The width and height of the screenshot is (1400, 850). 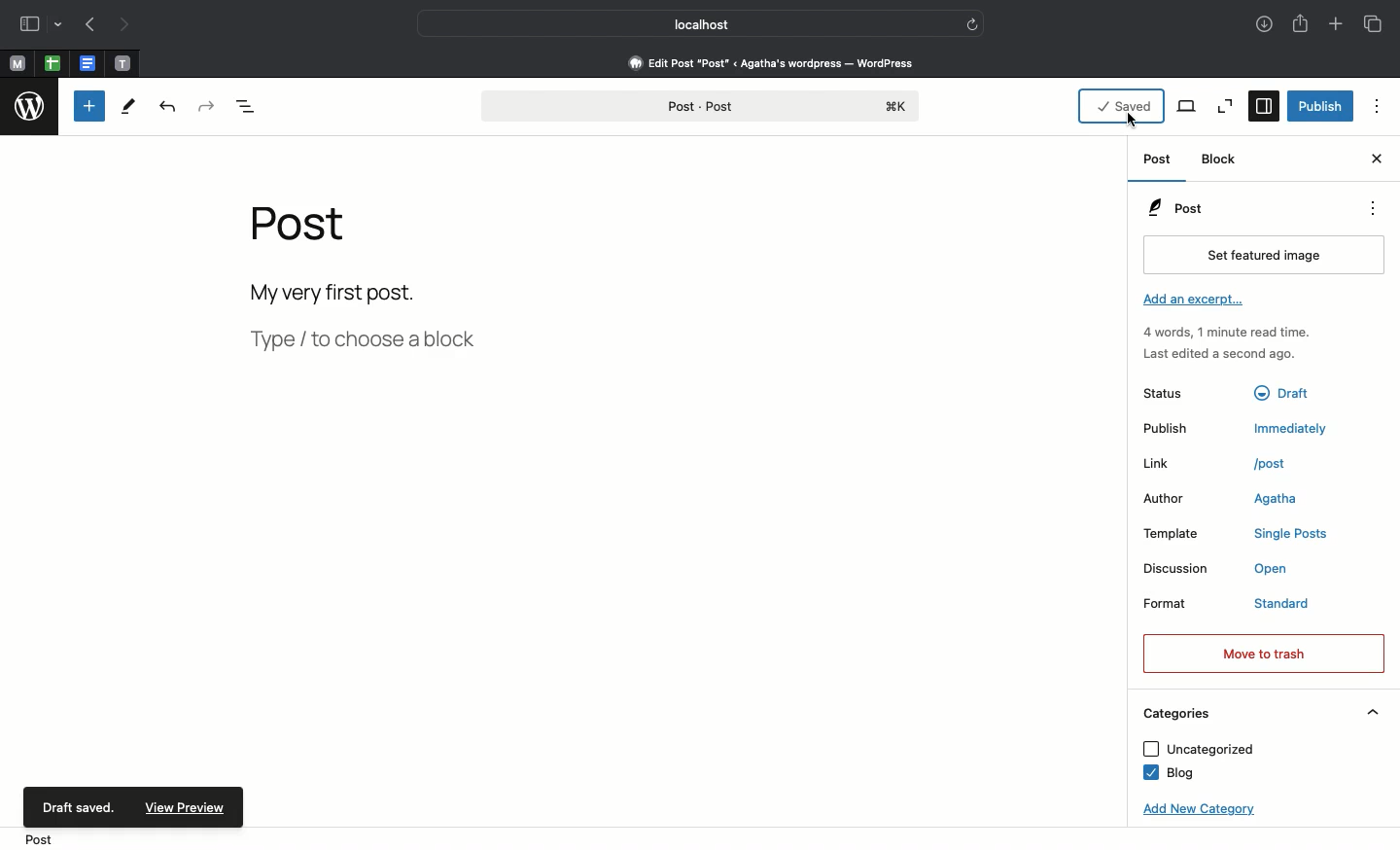 What do you see at coordinates (1281, 571) in the screenshot?
I see `Open` at bounding box center [1281, 571].